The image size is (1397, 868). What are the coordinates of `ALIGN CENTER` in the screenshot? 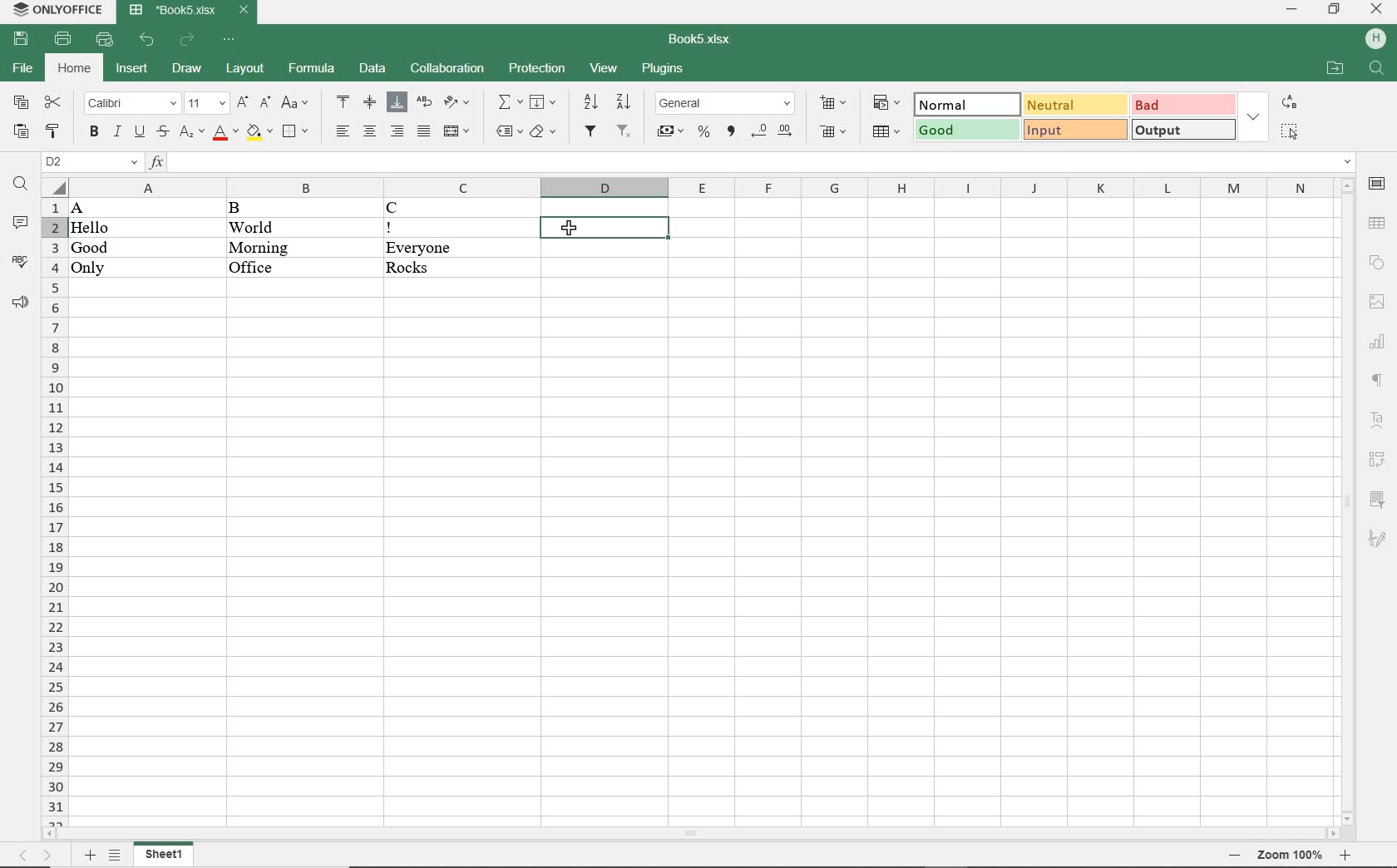 It's located at (370, 101).